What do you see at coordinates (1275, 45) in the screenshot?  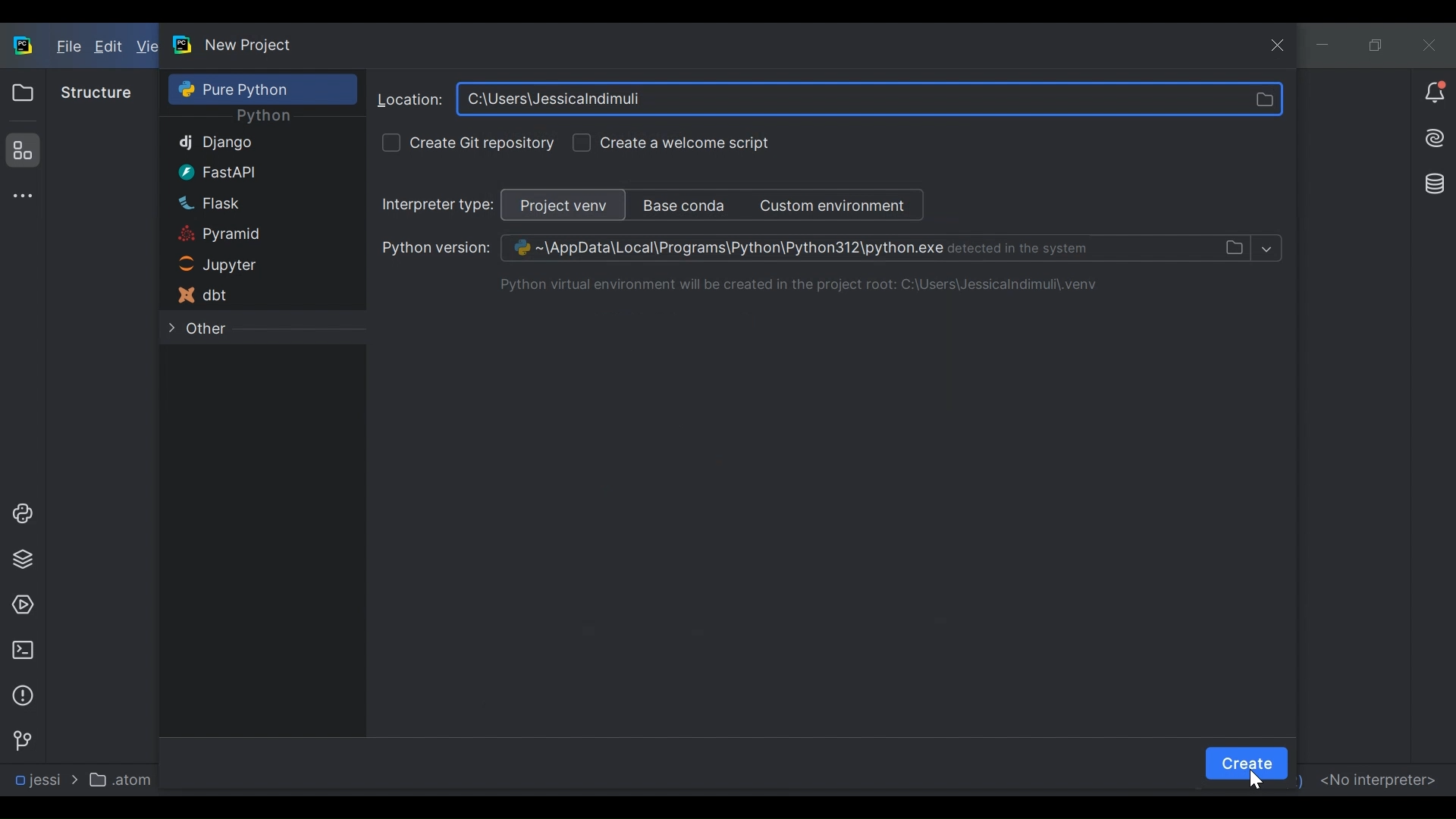 I see `close` at bounding box center [1275, 45].